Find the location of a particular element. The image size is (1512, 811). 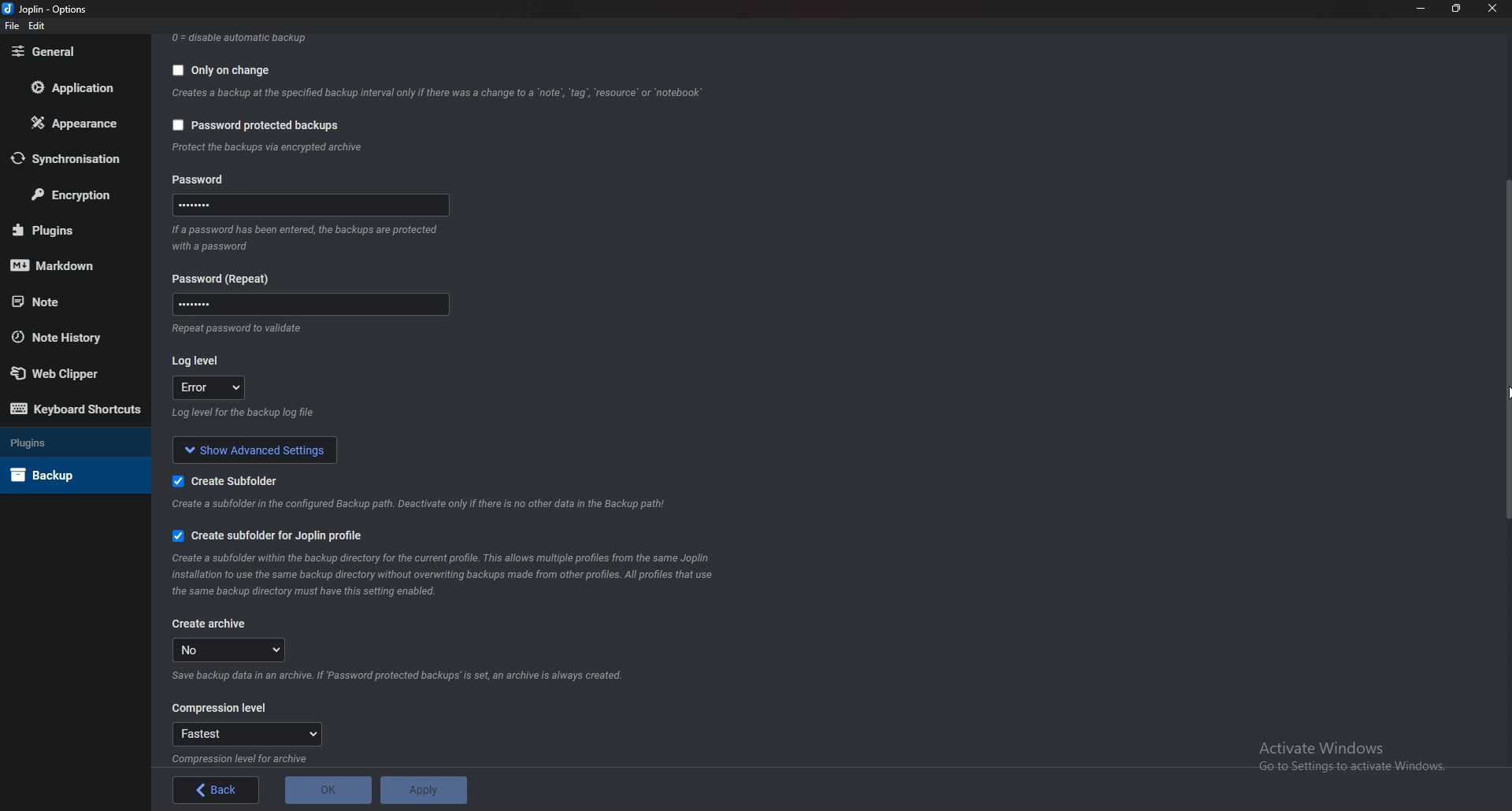

Resize is located at coordinates (1458, 8).